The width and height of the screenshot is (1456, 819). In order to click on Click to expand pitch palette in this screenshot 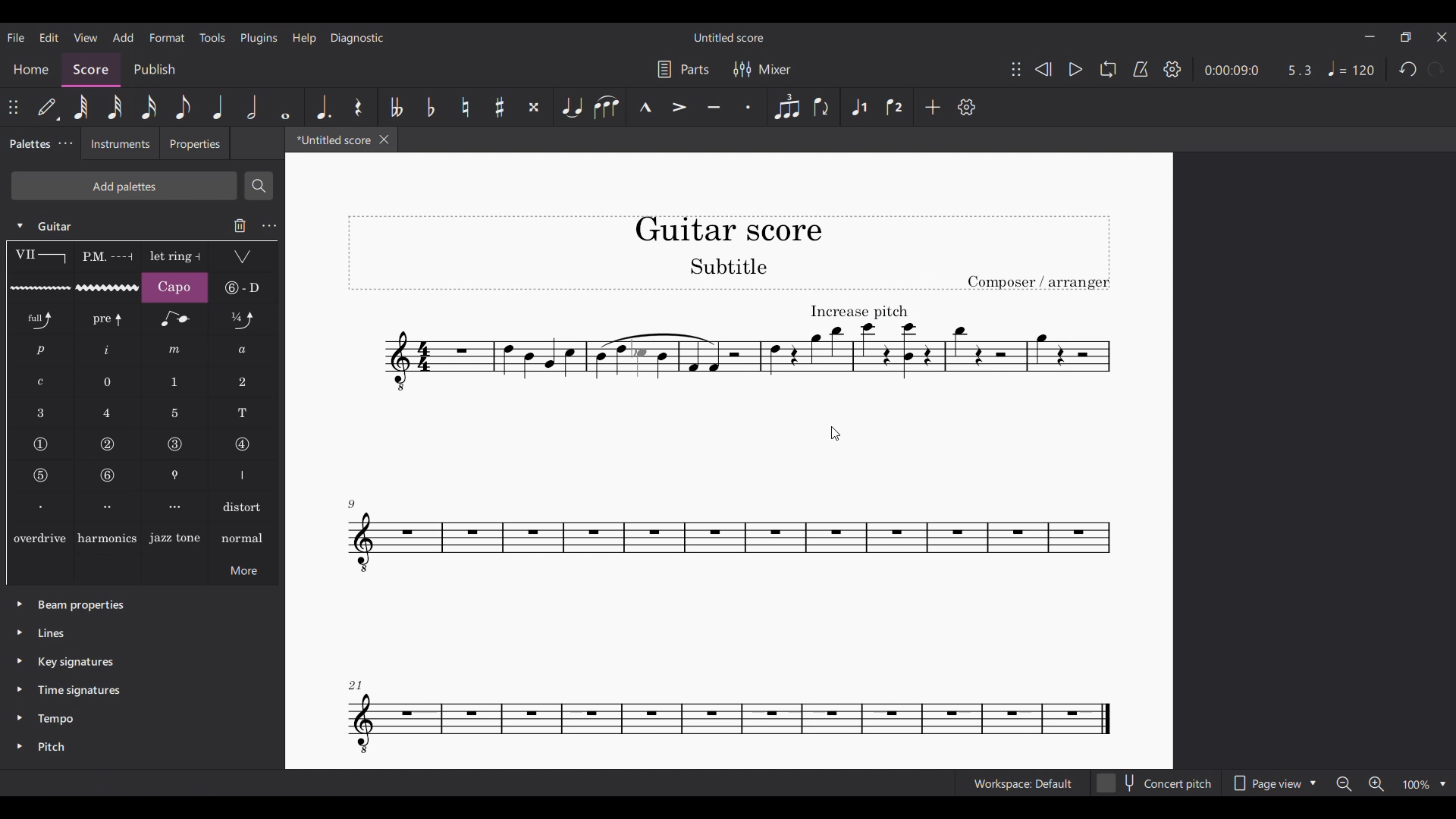, I will do `click(20, 746)`.